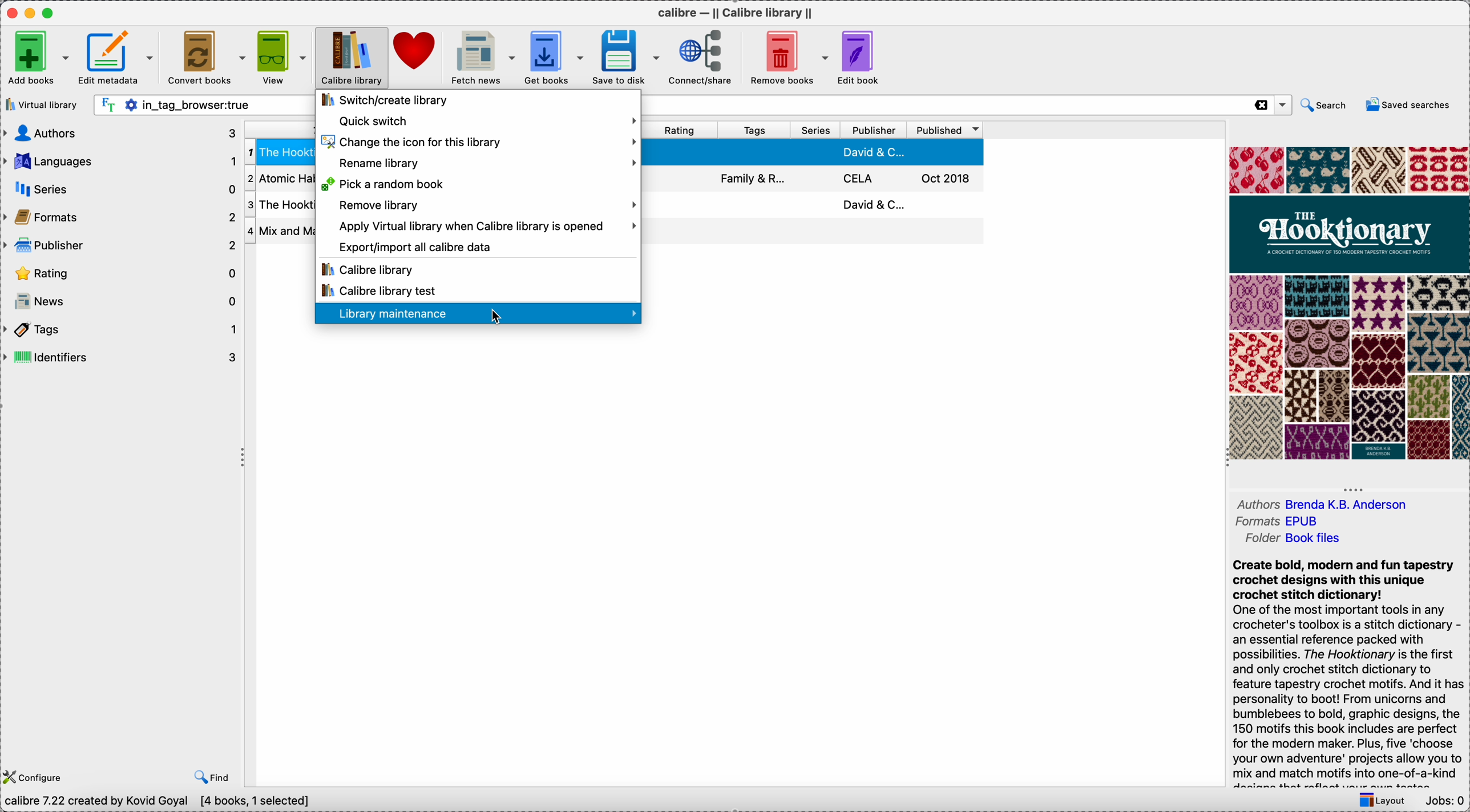 This screenshot has width=1470, height=812. What do you see at coordinates (875, 130) in the screenshot?
I see `publisher` at bounding box center [875, 130].